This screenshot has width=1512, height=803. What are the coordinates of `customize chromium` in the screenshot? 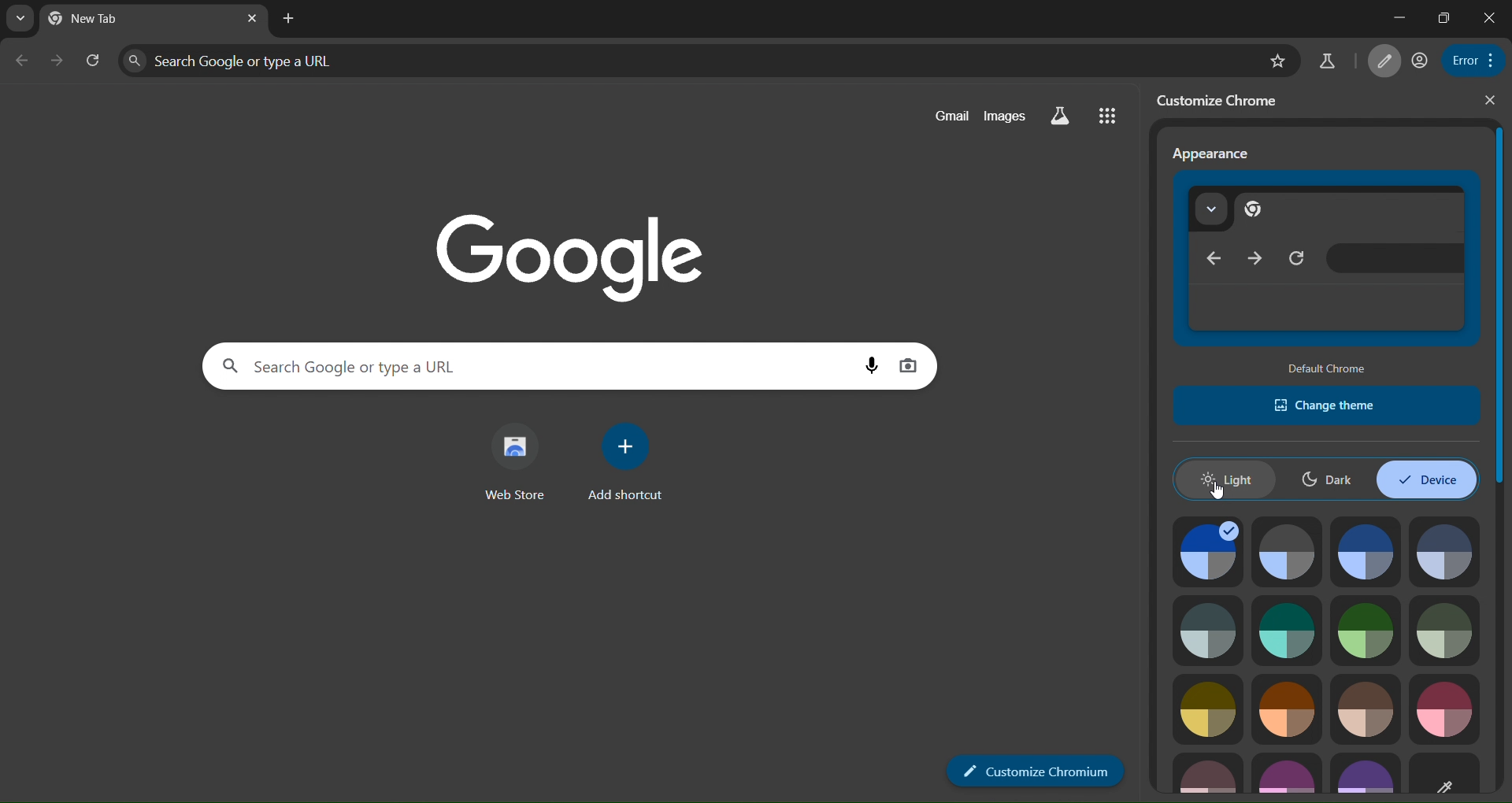 It's located at (1036, 771).